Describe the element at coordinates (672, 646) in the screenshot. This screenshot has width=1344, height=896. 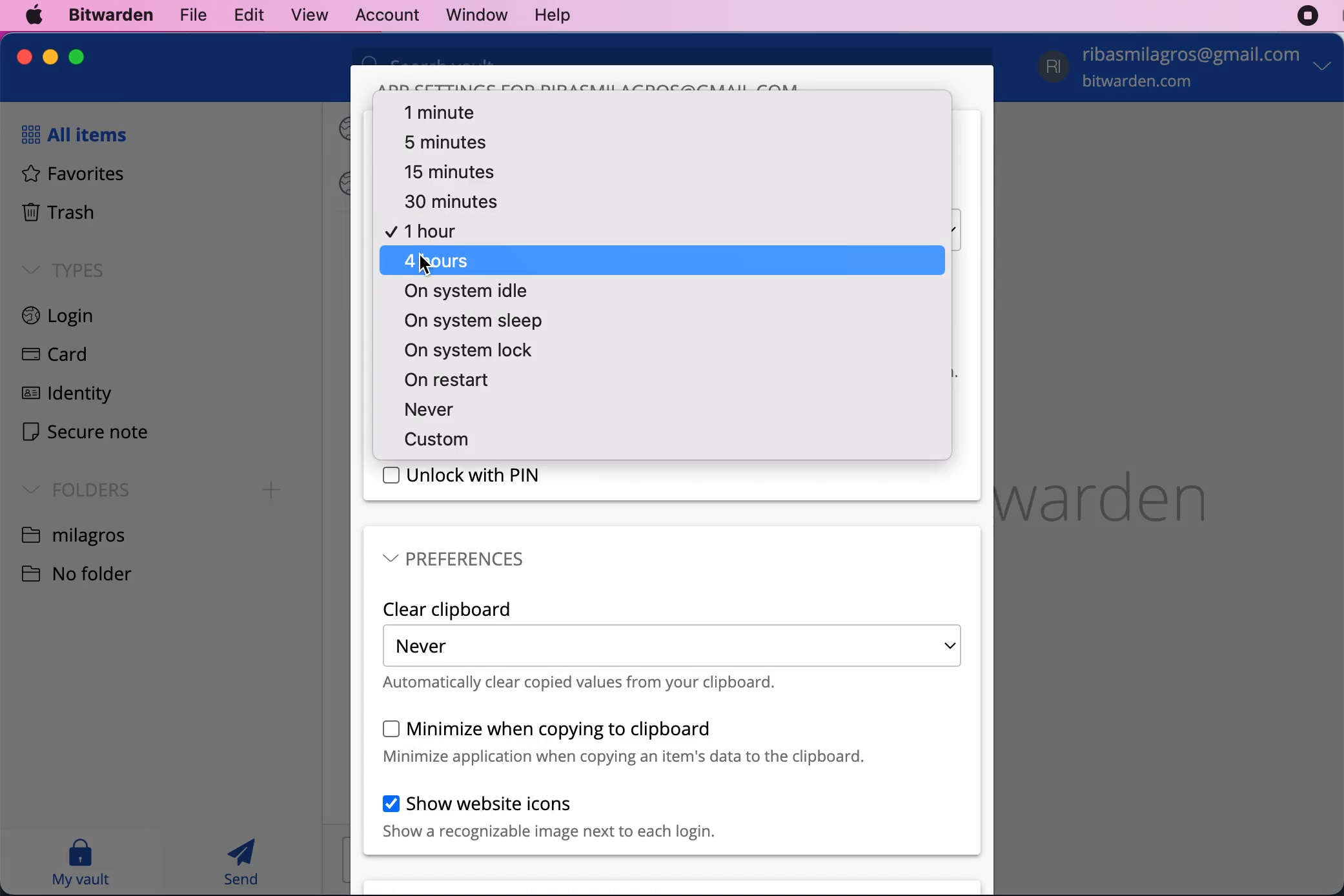
I see `never` at that location.